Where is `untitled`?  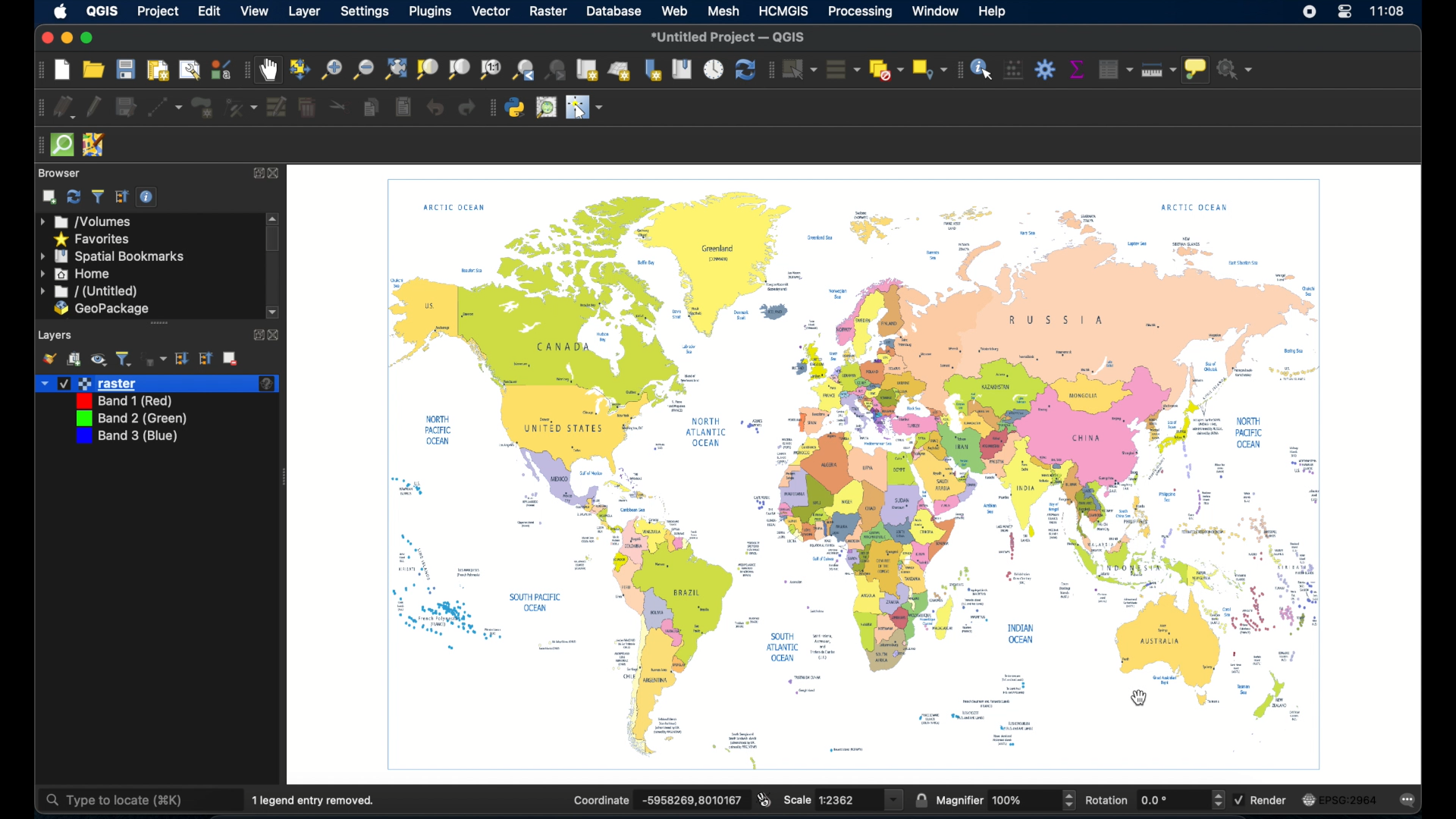 untitled is located at coordinates (87, 292).